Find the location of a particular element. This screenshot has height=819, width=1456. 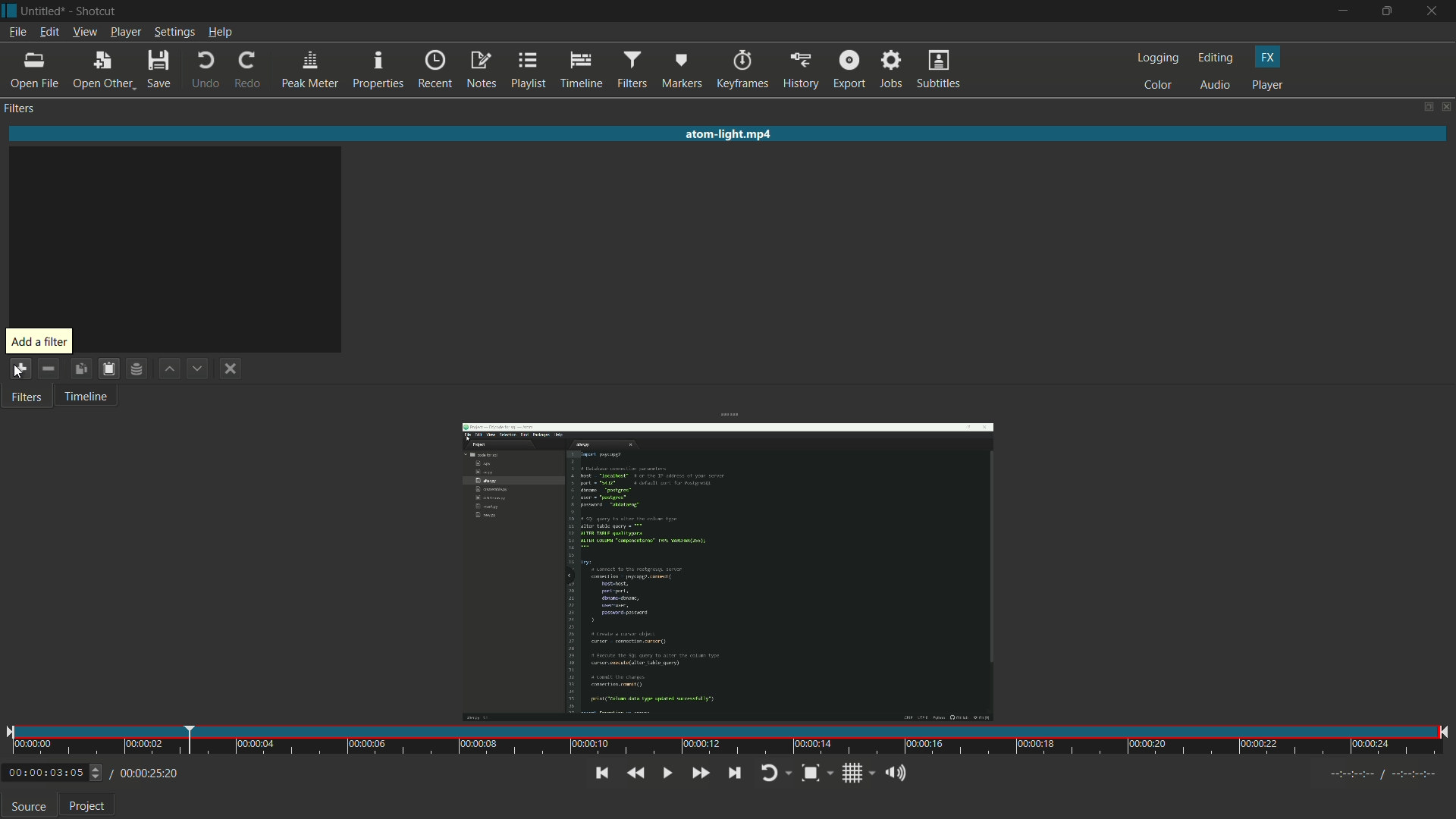

time register is located at coordinates (1385, 774).